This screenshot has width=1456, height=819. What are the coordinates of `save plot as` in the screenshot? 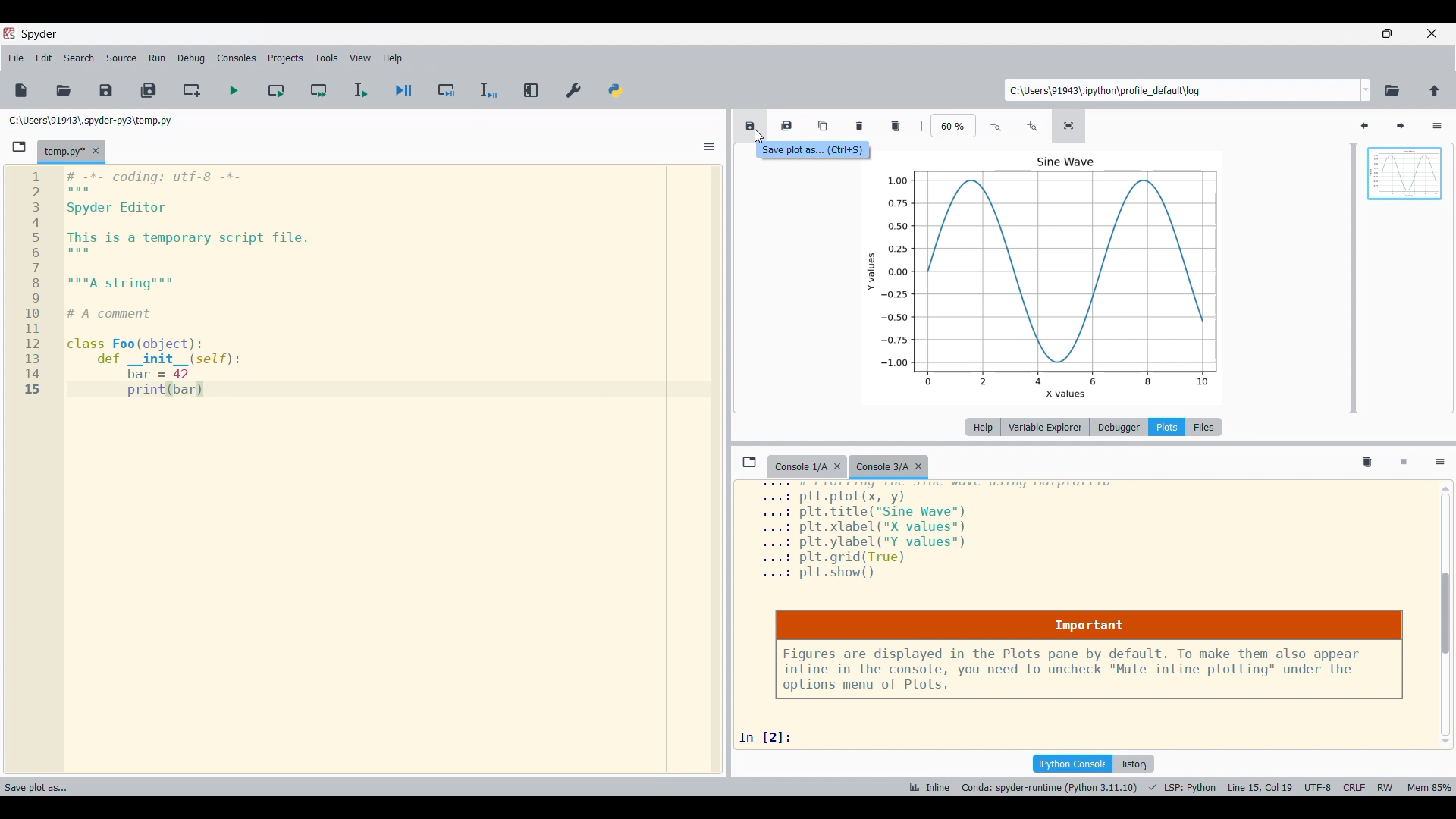 It's located at (44, 784).